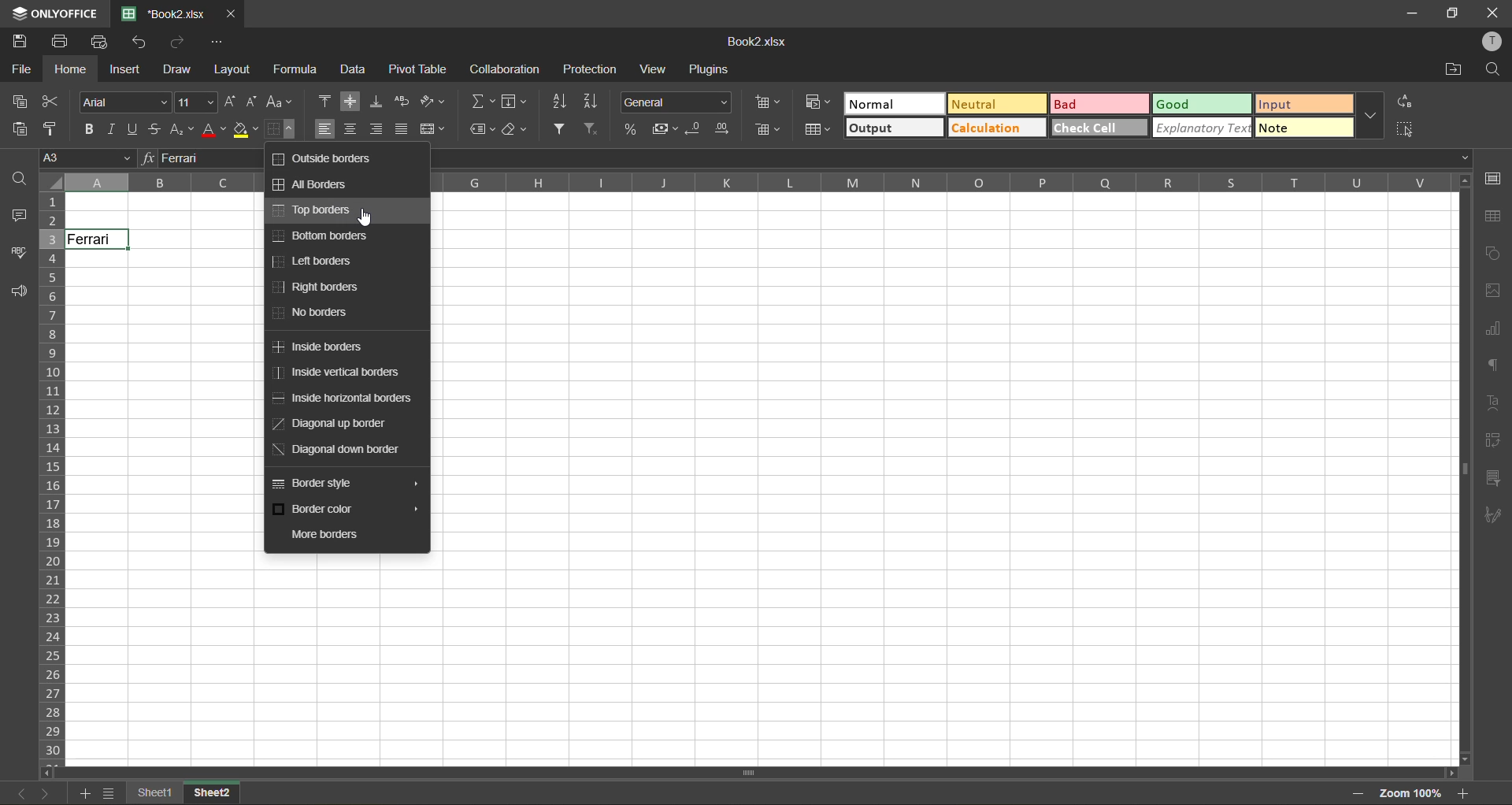 This screenshot has height=805, width=1512. What do you see at coordinates (1305, 127) in the screenshot?
I see `note` at bounding box center [1305, 127].